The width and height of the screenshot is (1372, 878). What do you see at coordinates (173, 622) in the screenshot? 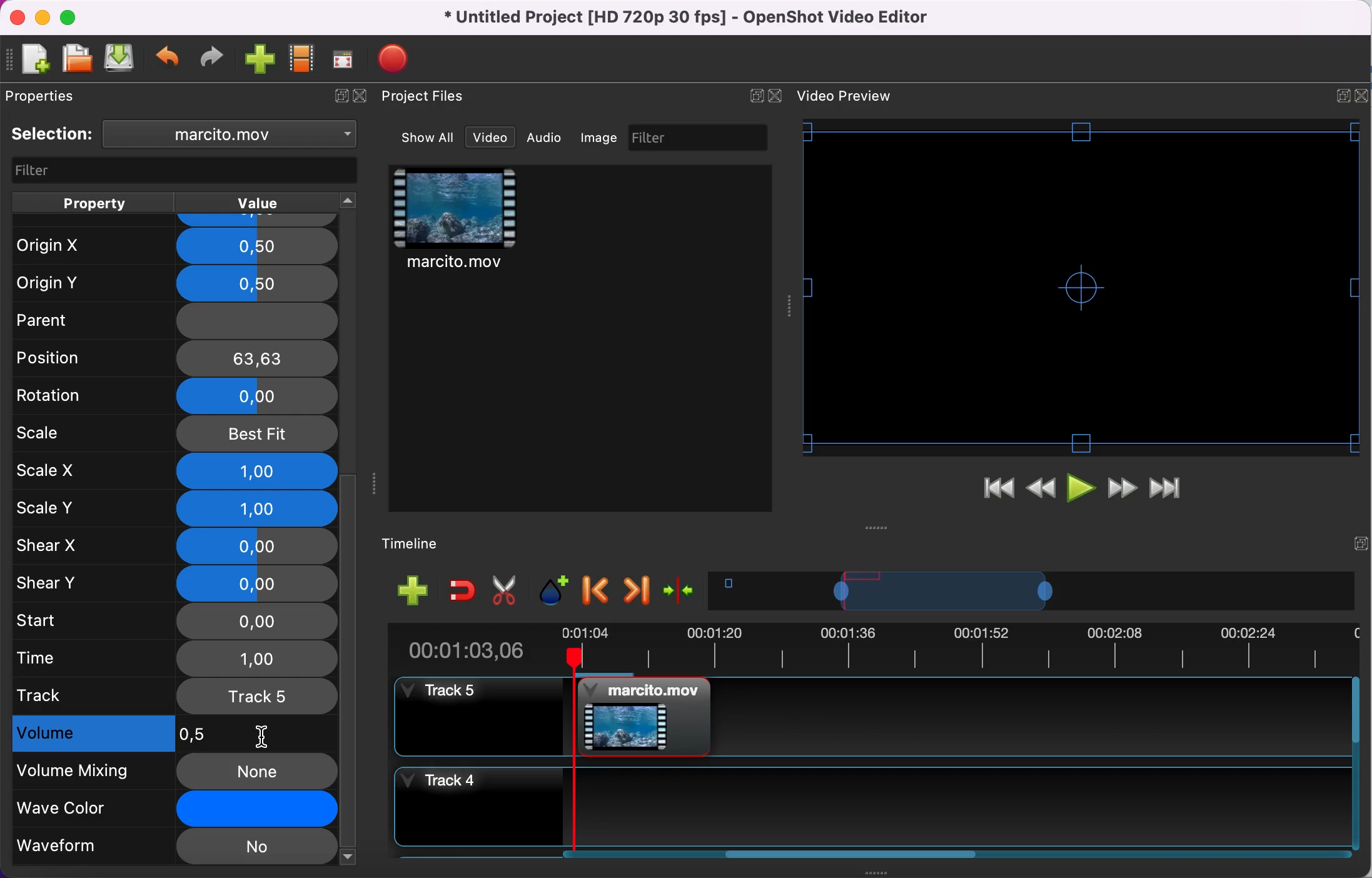
I see `start 0` at bounding box center [173, 622].